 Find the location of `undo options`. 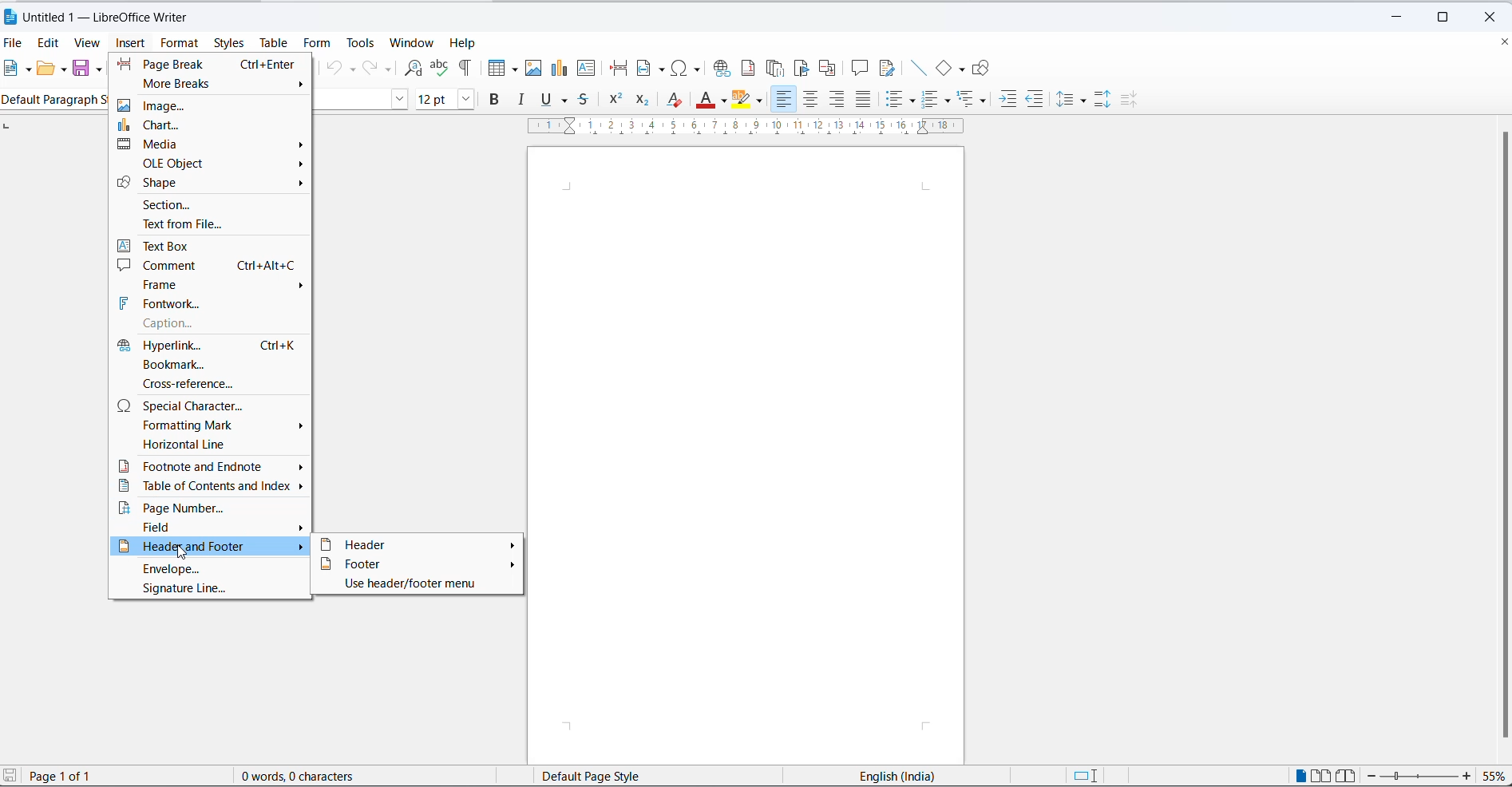

undo options is located at coordinates (352, 69).